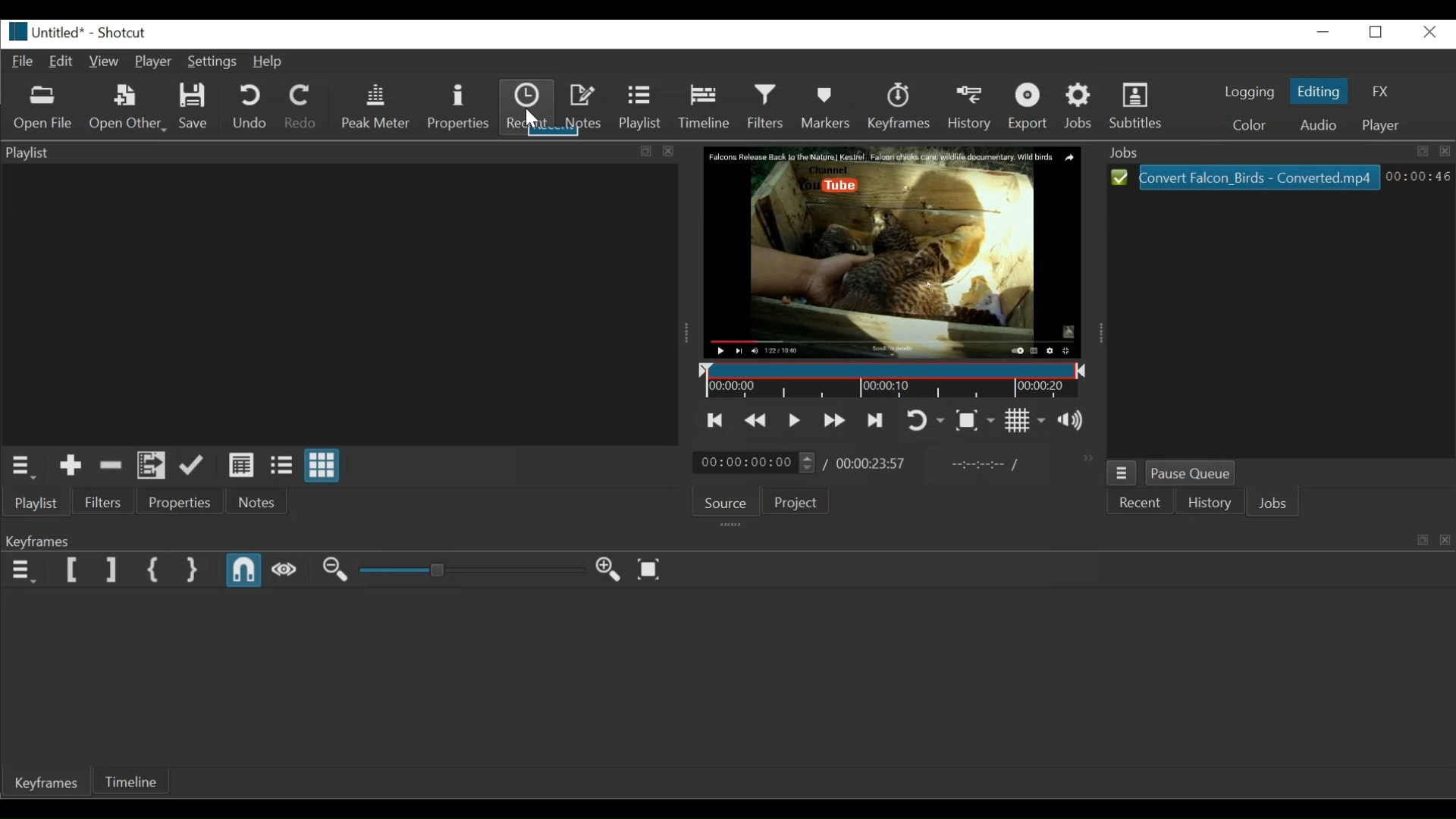 The width and height of the screenshot is (1456, 819). What do you see at coordinates (757, 420) in the screenshot?
I see `Play backwards quickly` at bounding box center [757, 420].